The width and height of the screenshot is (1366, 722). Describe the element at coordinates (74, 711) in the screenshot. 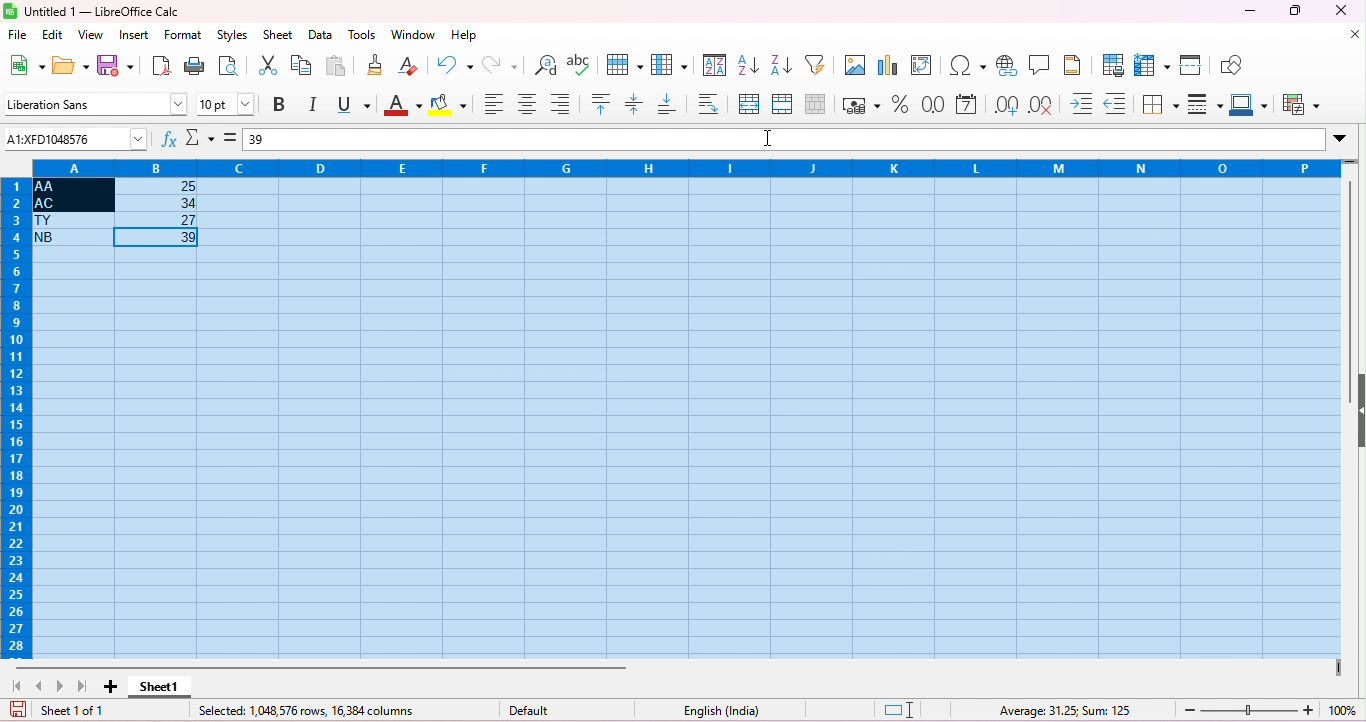

I see `sheet 1 of 1` at that location.